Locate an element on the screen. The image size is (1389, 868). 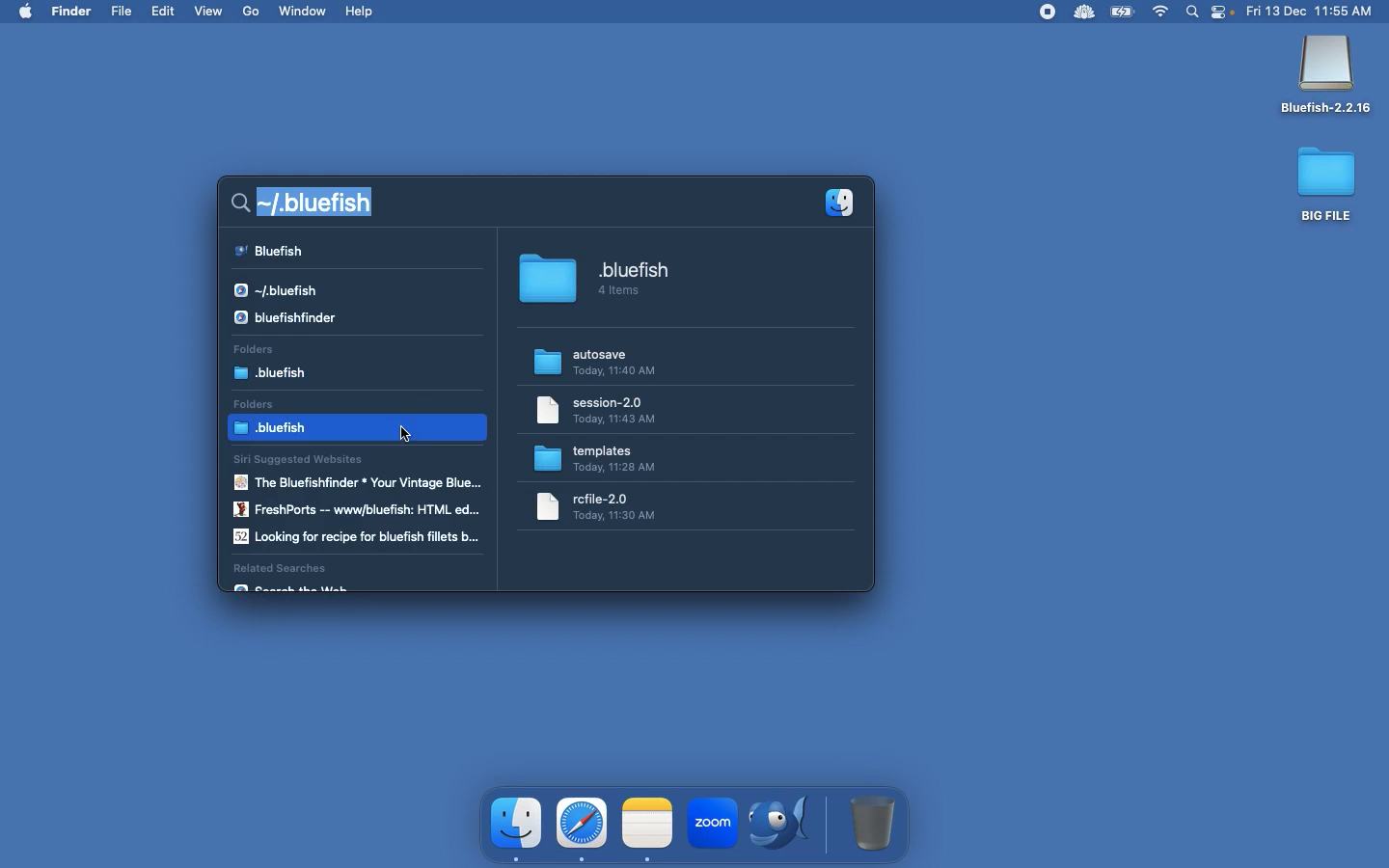
View is located at coordinates (210, 10).